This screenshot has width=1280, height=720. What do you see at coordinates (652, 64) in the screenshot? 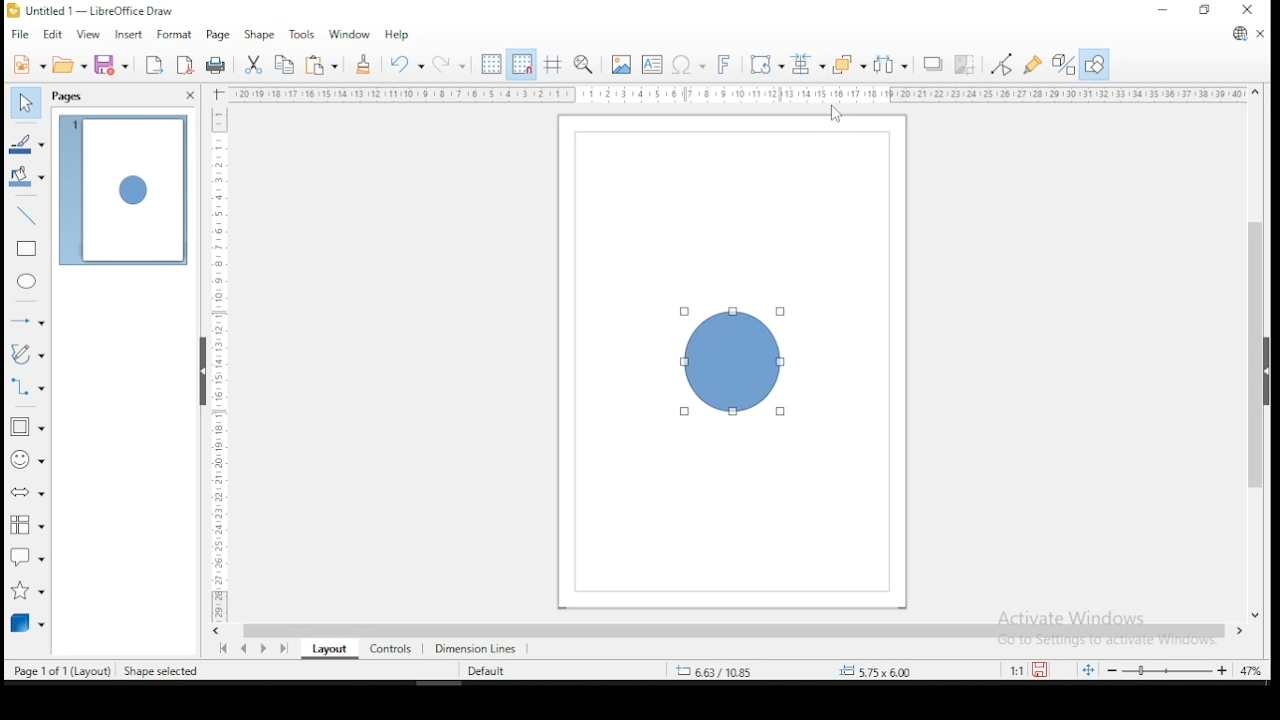
I see `insert text box` at bounding box center [652, 64].